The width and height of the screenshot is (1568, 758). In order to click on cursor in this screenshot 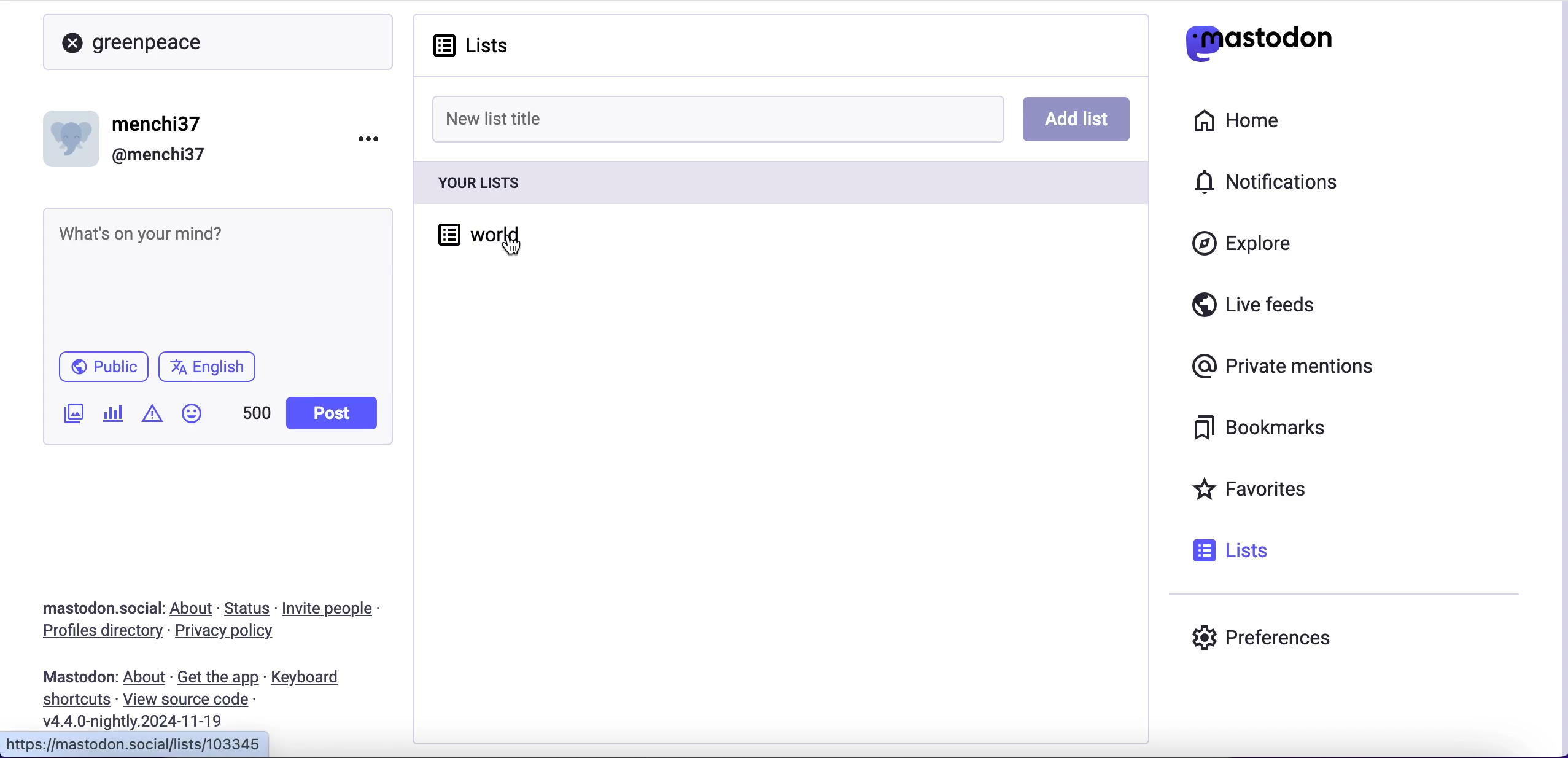, I will do `click(513, 245)`.